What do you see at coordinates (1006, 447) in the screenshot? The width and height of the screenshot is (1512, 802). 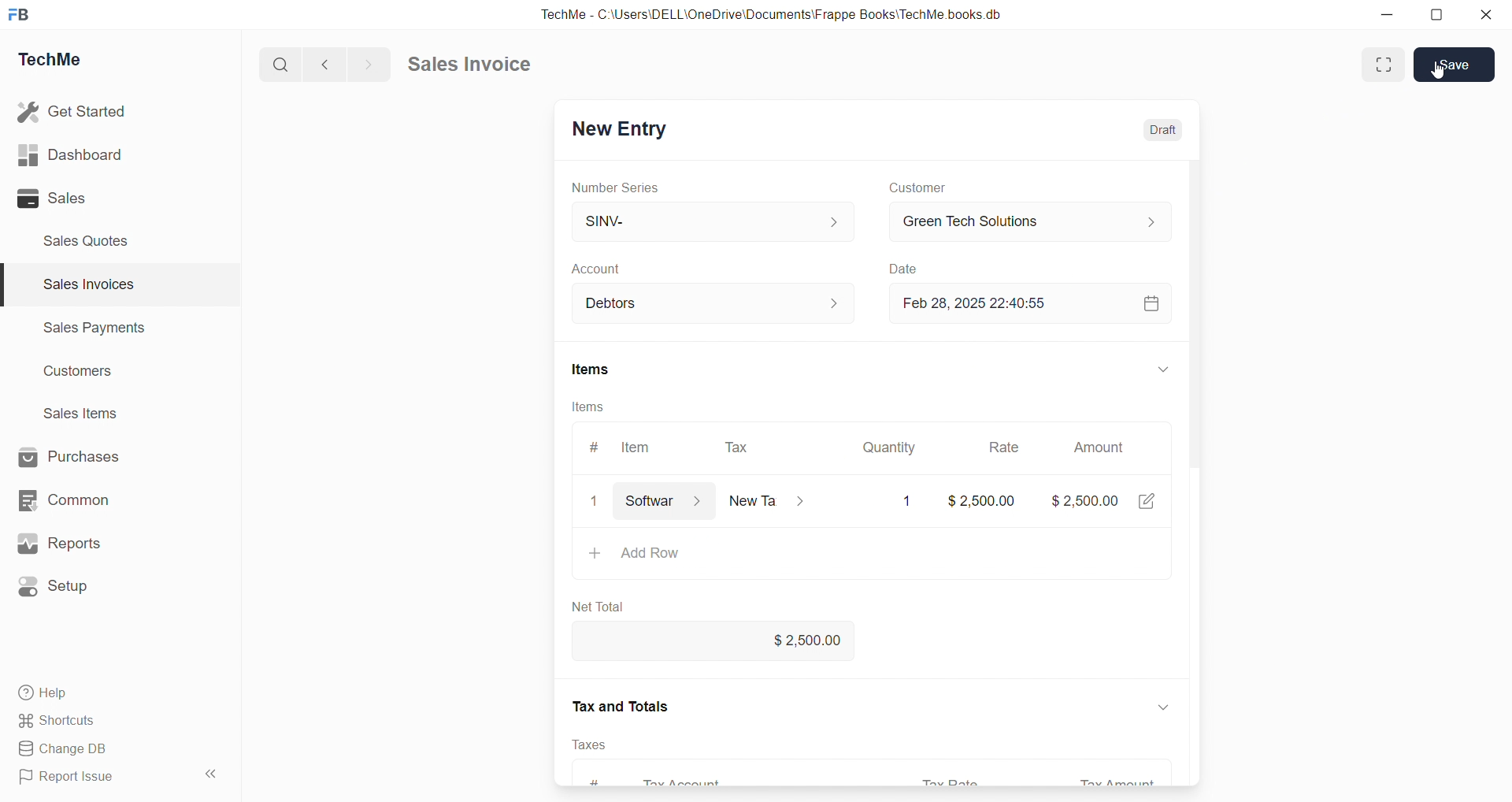 I see `Rate` at bounding box center [1006, 447].